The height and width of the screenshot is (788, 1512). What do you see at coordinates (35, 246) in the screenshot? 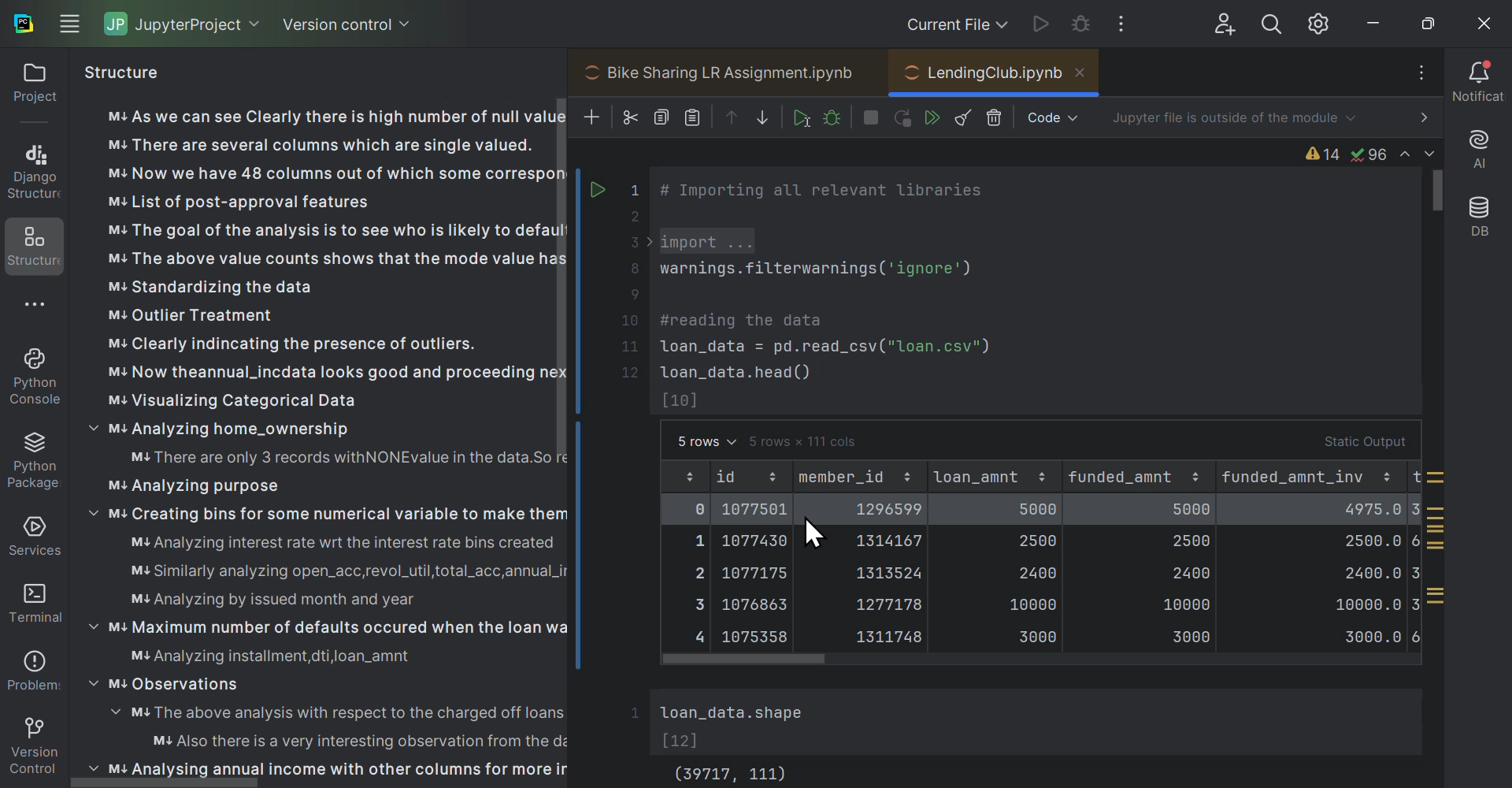
I see `Structures` at bounding box center [35, 246].